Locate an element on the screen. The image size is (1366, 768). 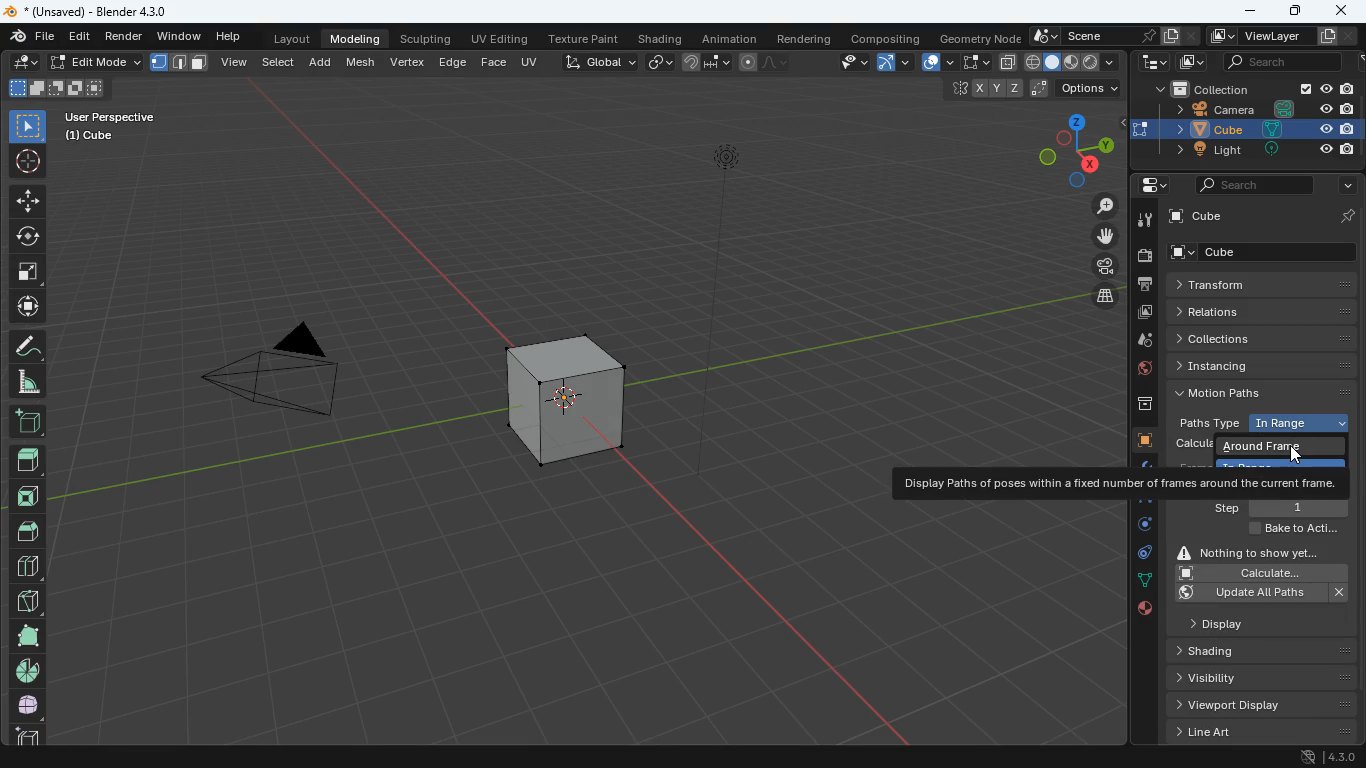
dimensions is located at coordinates (1024, 89).